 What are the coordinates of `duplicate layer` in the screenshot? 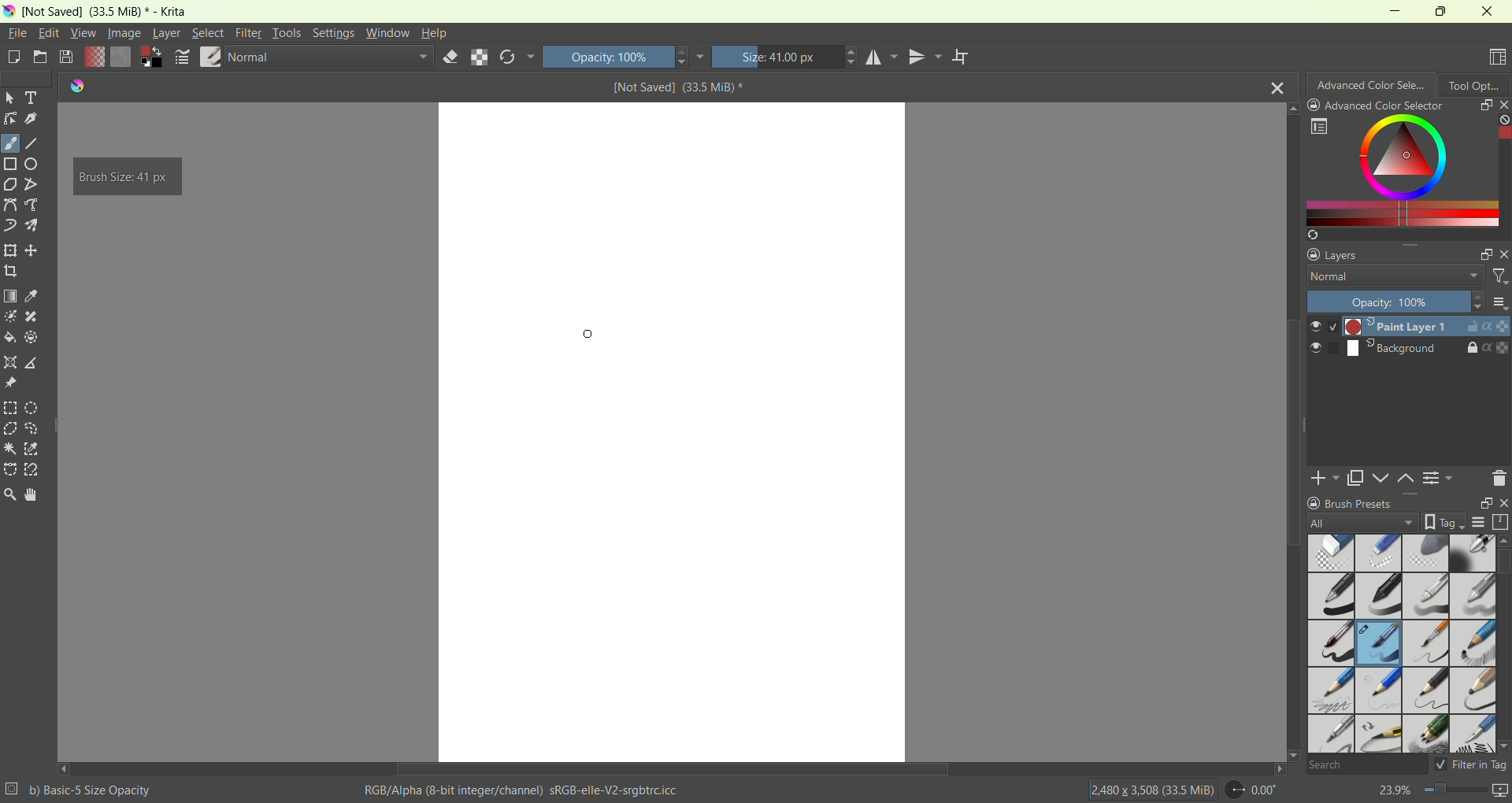 It's located at (1357, 478).